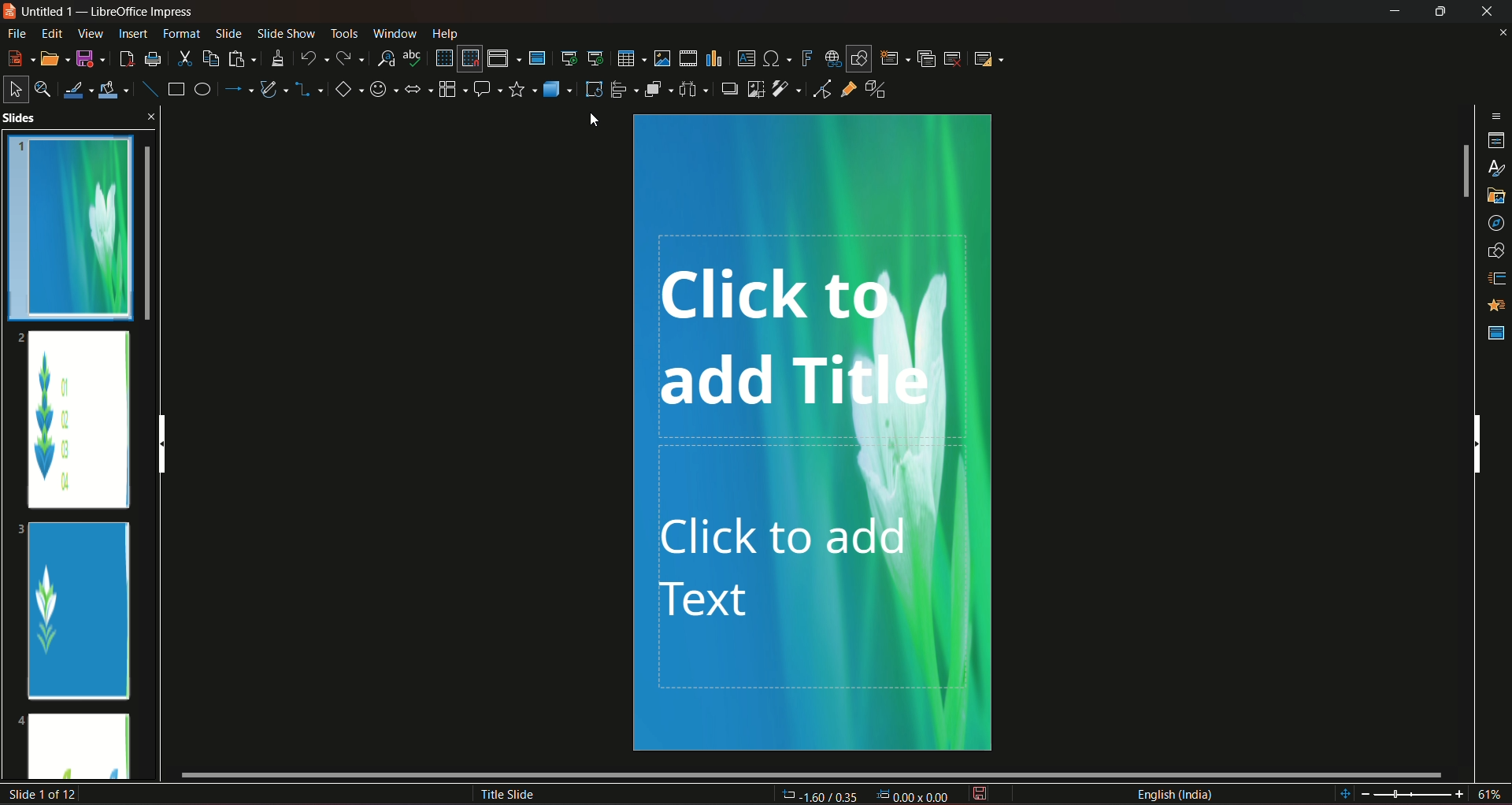  Describe the element at coordinates (46, 794) in the screenshot. I see `slide number` at that location.